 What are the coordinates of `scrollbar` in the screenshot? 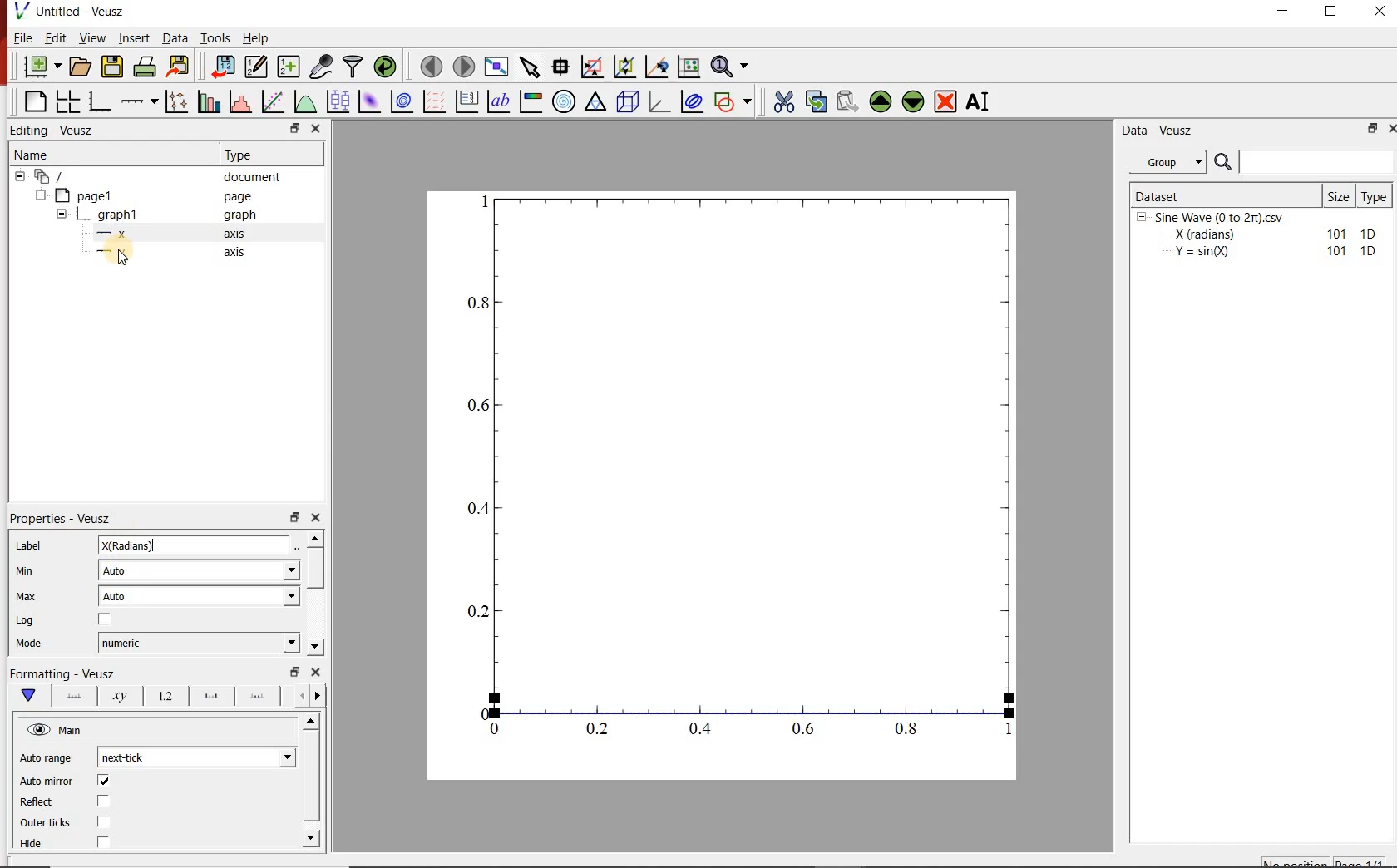 It's located at (317, 570).